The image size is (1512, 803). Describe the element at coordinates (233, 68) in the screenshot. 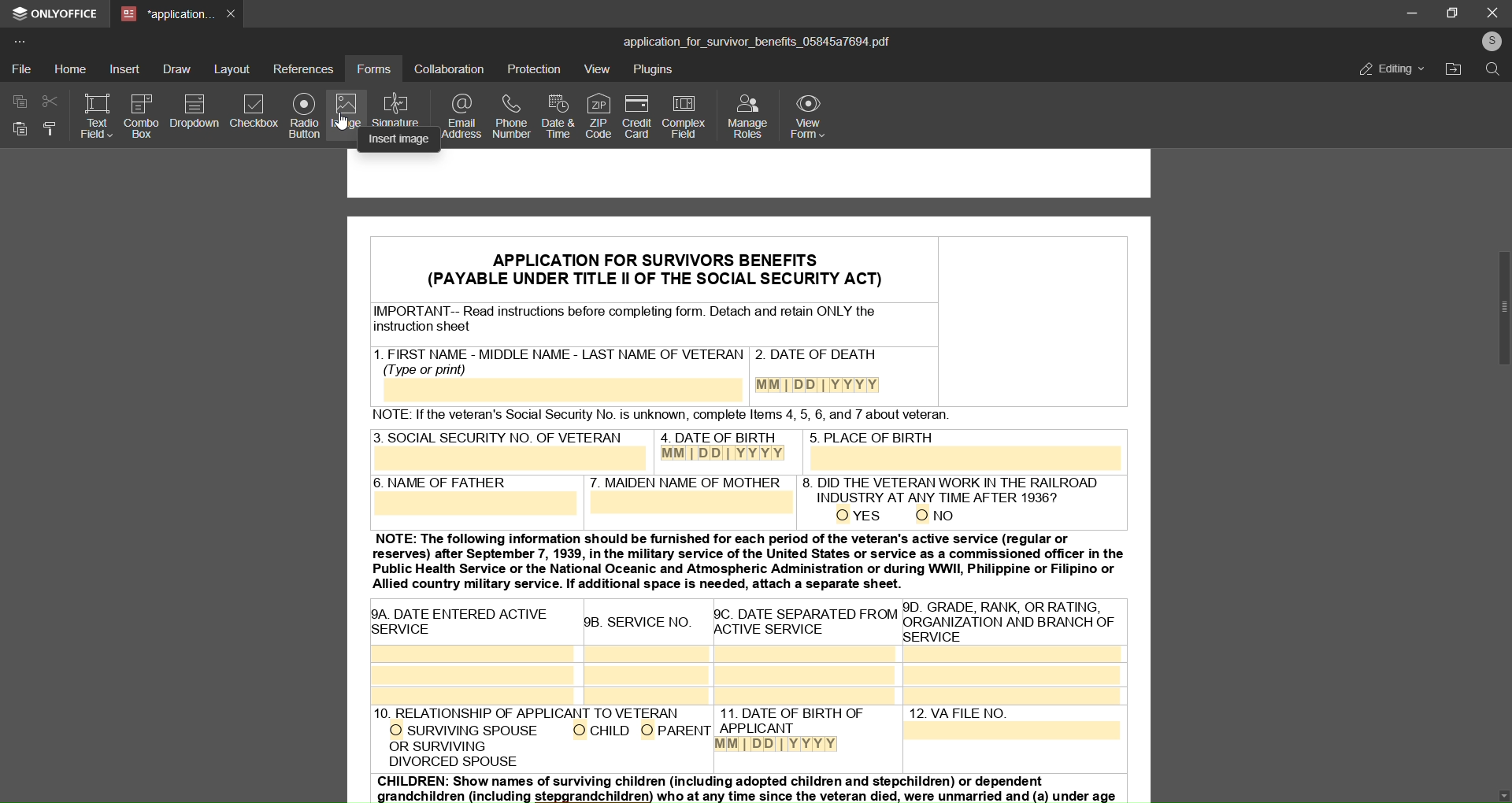

I see `layout` at that location.